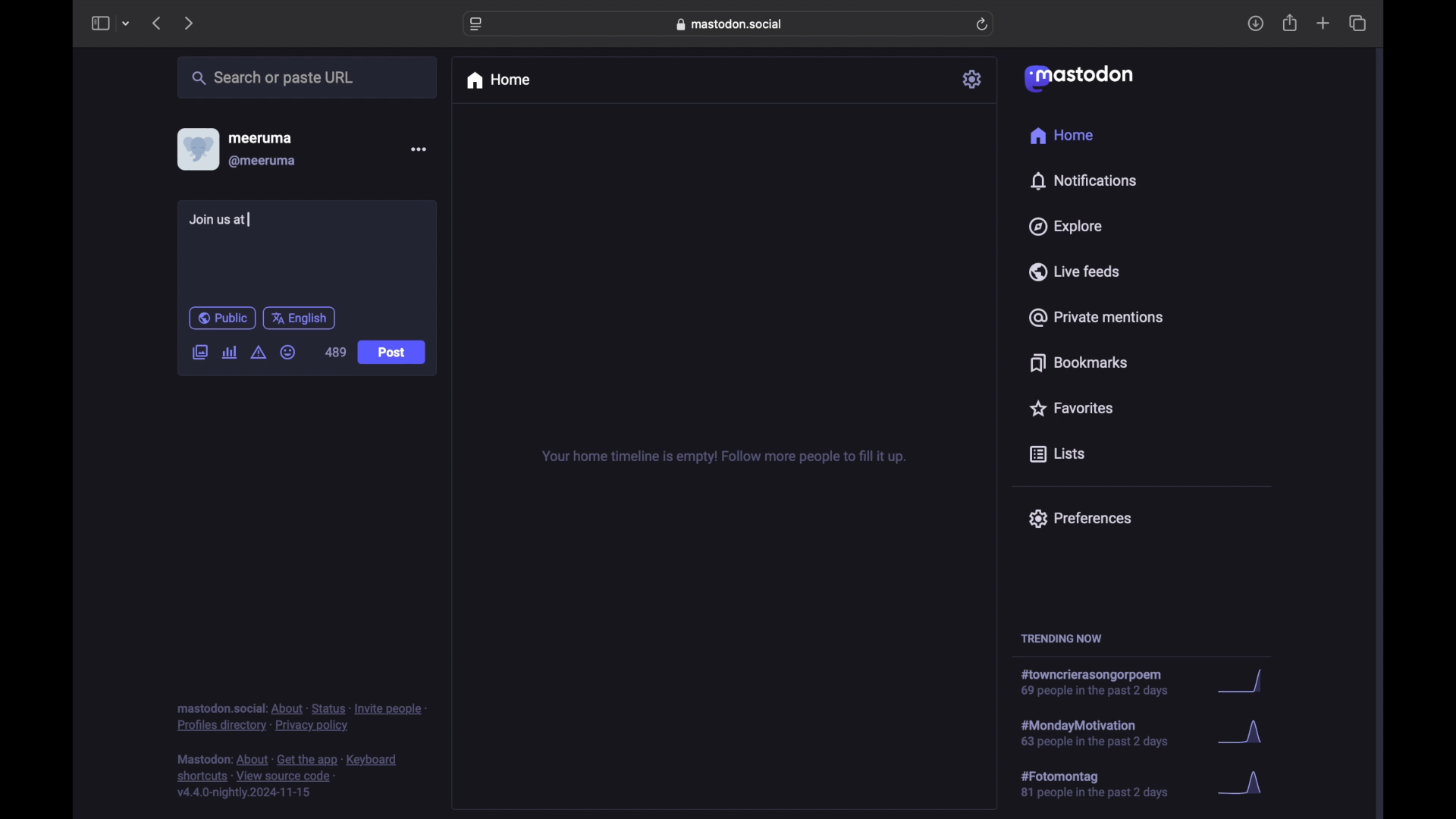 This screenshot has width=1456, height=819. I want to click on live feeds, so click(1075, 271).